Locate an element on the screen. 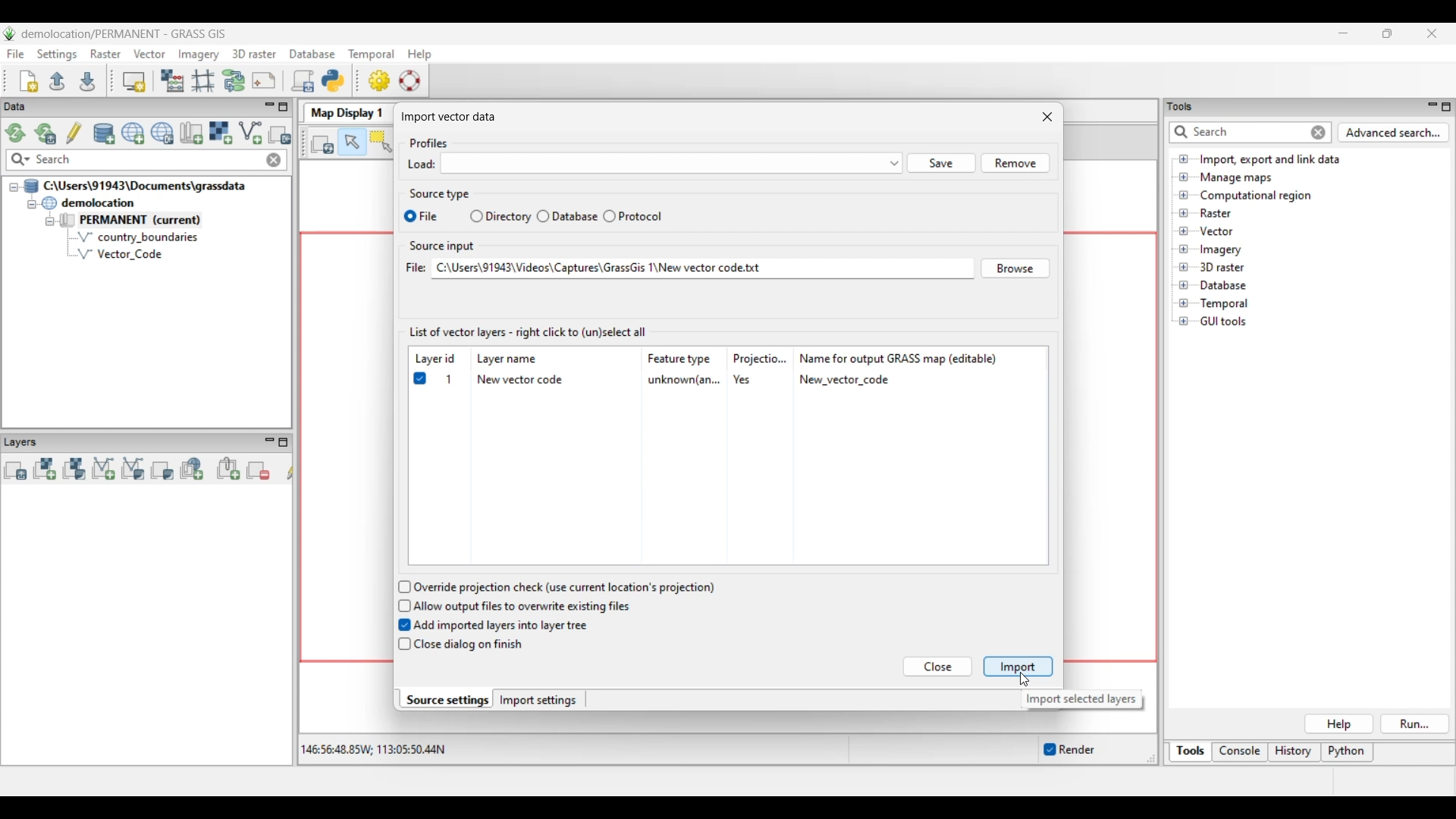 The width and height of the screenshot is (1456, 819). Maximize Layers panel is located at coordinates (284, 442).